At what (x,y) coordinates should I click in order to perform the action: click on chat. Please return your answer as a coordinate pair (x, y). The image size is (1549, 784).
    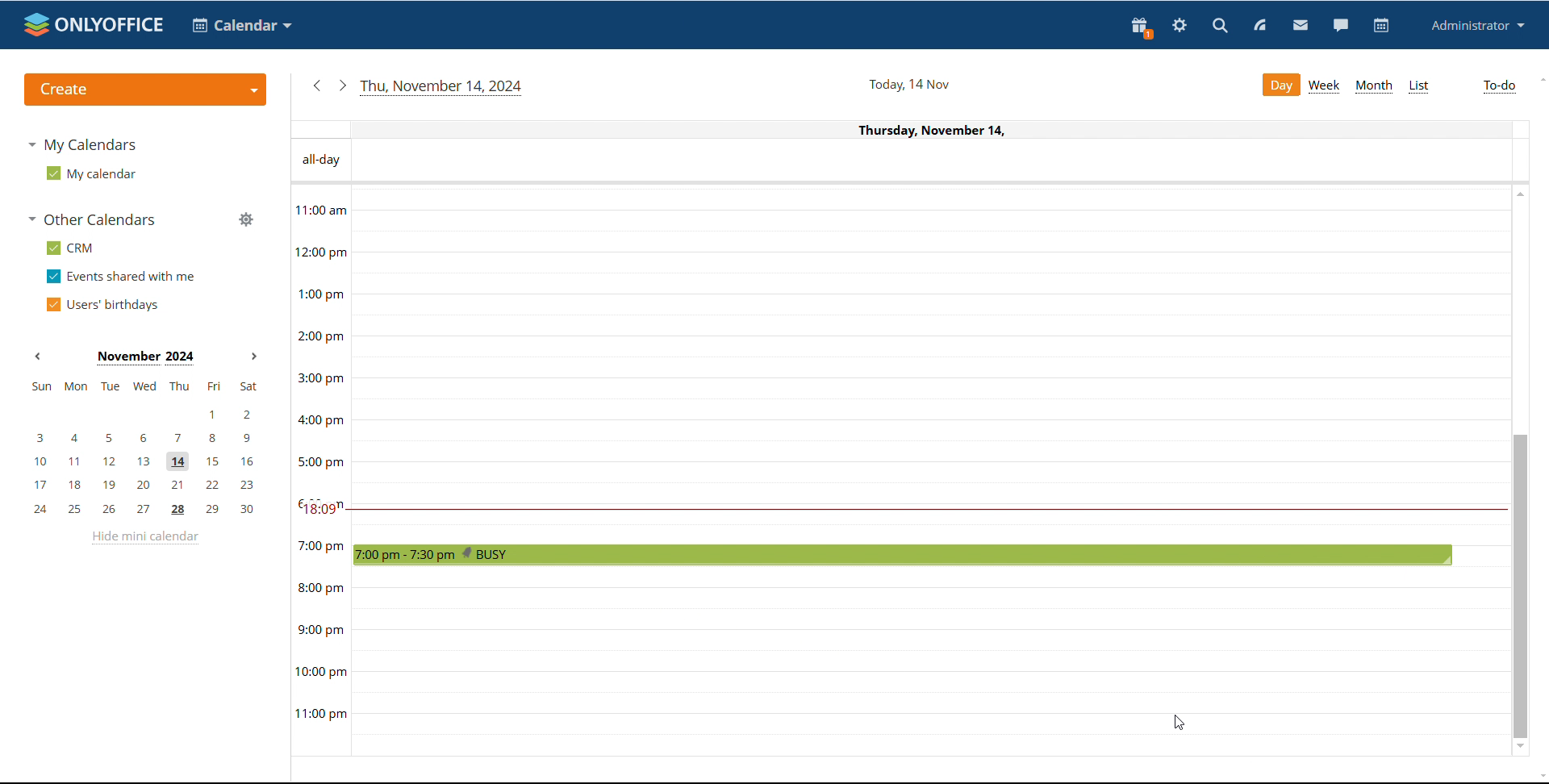
    Looking at the image, I should click on (1340, 25).